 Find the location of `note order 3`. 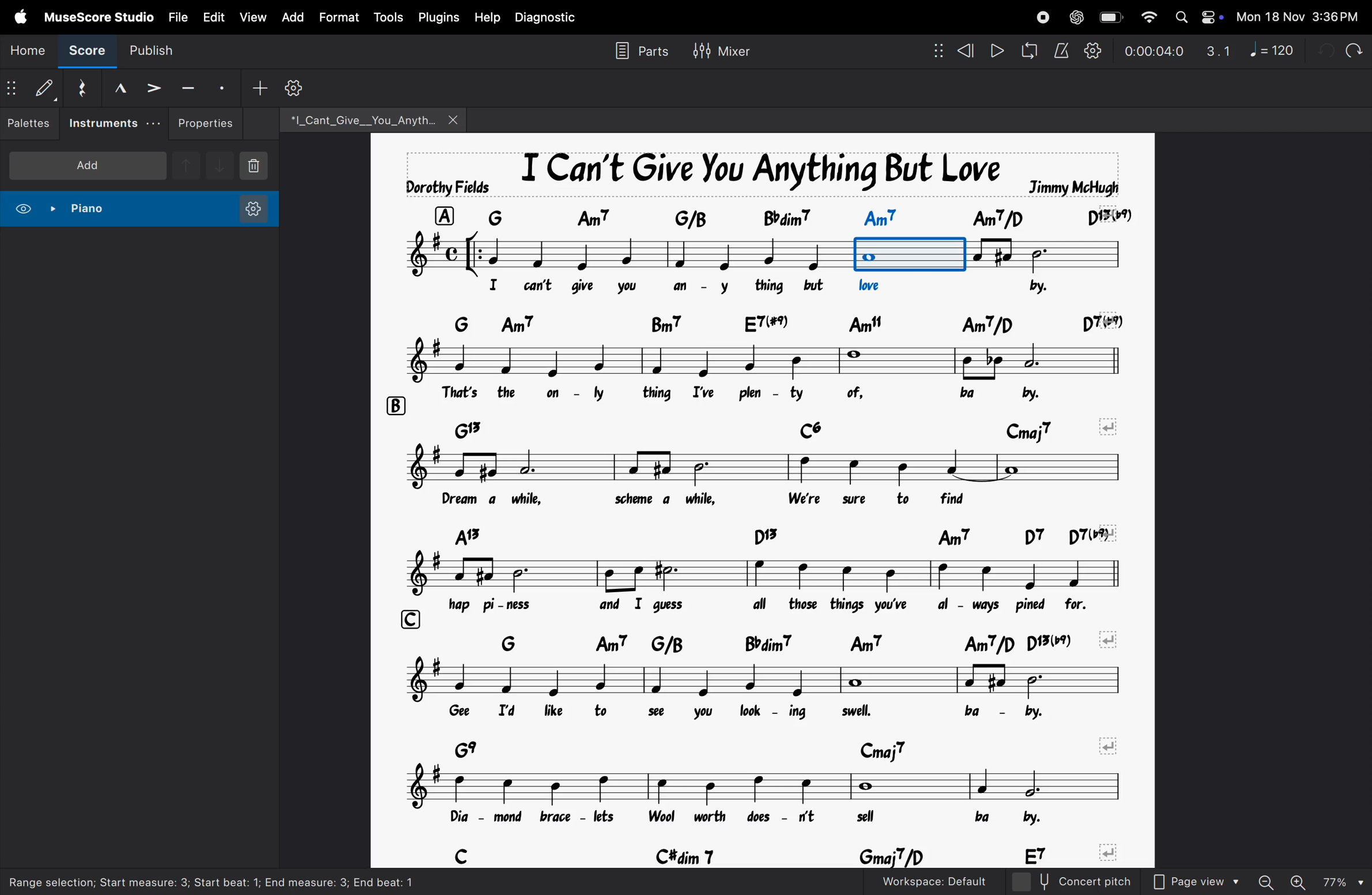

note order 3 is located at coordinates (912, 254).